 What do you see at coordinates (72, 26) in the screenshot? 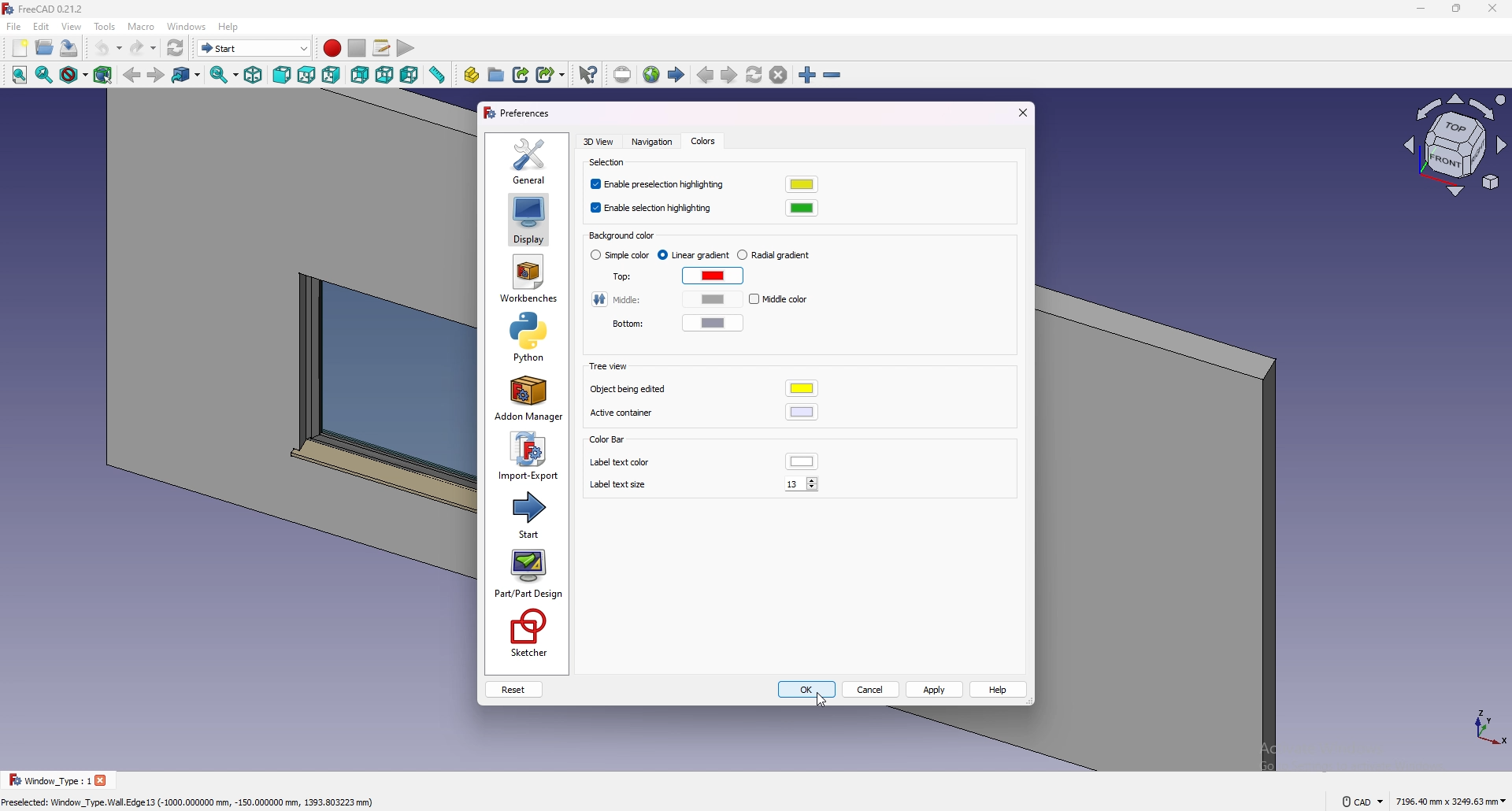
I see `view` at bounding box center [72, 26].